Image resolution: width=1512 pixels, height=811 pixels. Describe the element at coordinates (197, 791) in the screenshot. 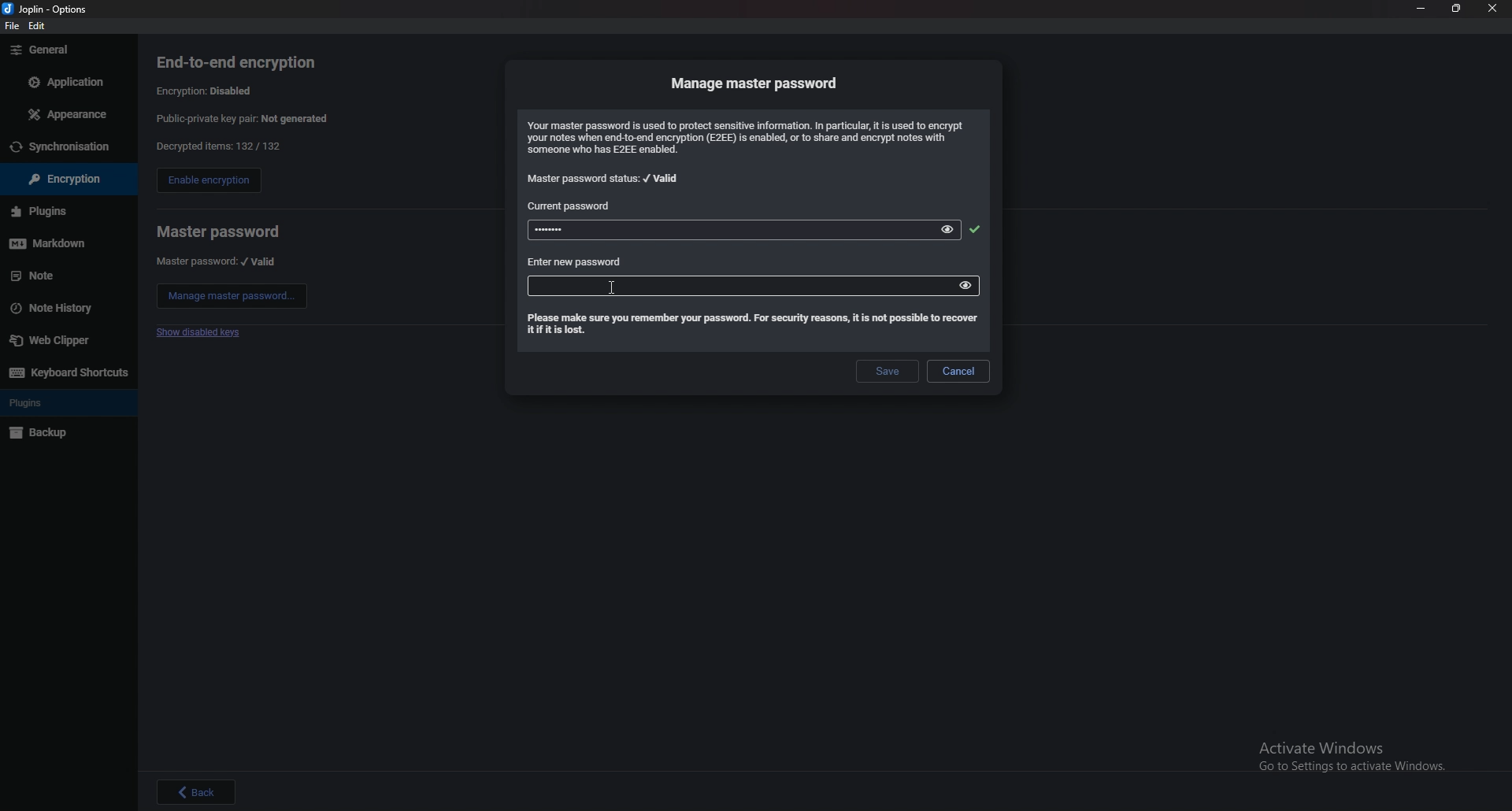

I see `back` at that location.